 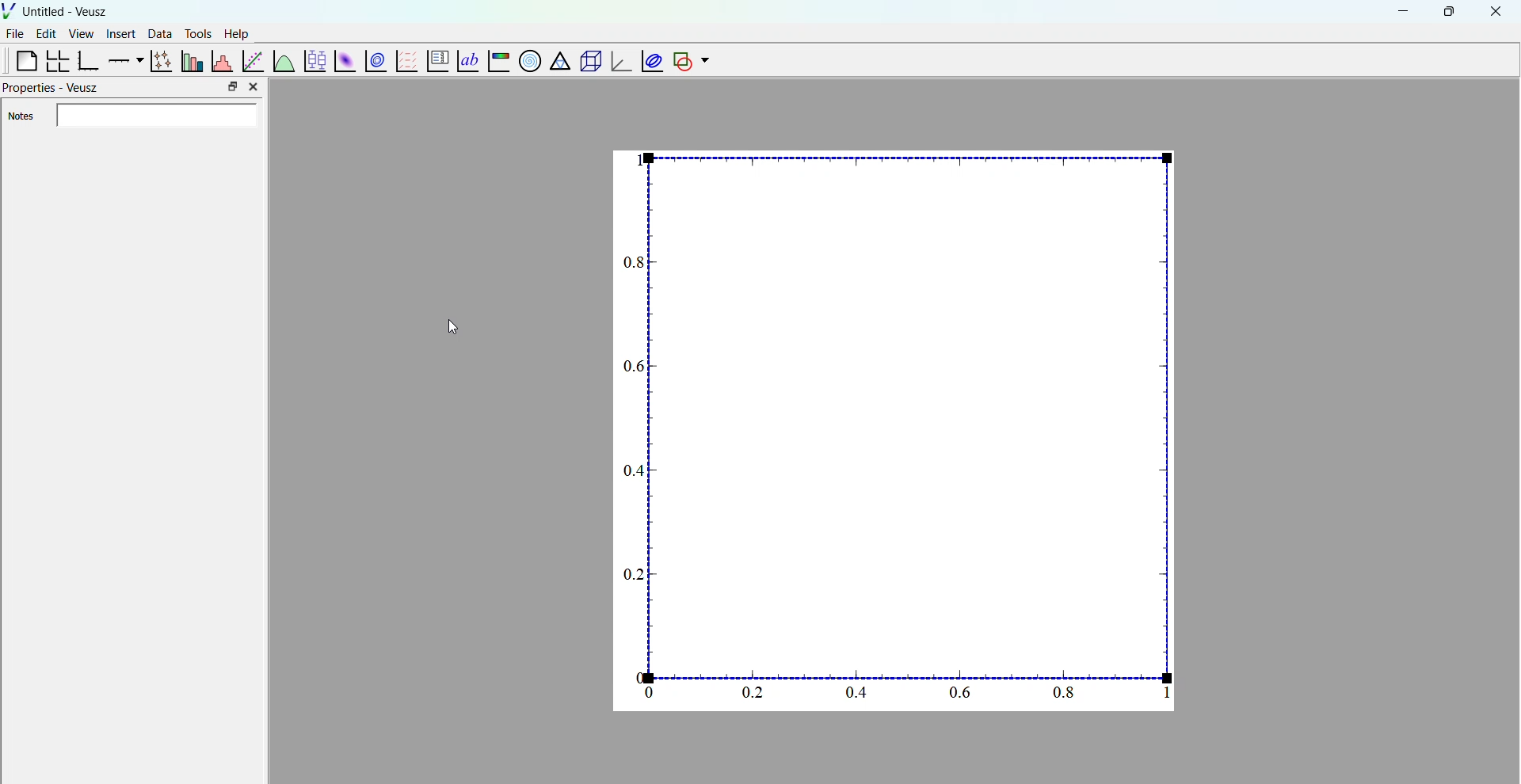 What do you see at coordinates (48, 34) in the screenshot?
I see `edit` at bounding box center [48, 34].